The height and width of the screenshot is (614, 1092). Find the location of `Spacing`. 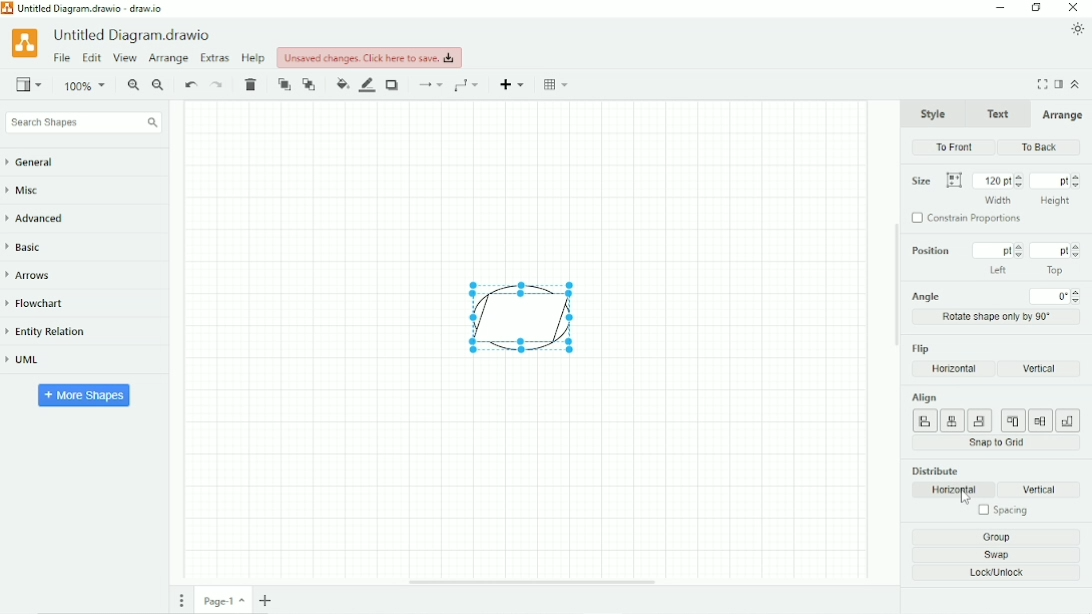

Spacing is located at coordinates (1001, 512).